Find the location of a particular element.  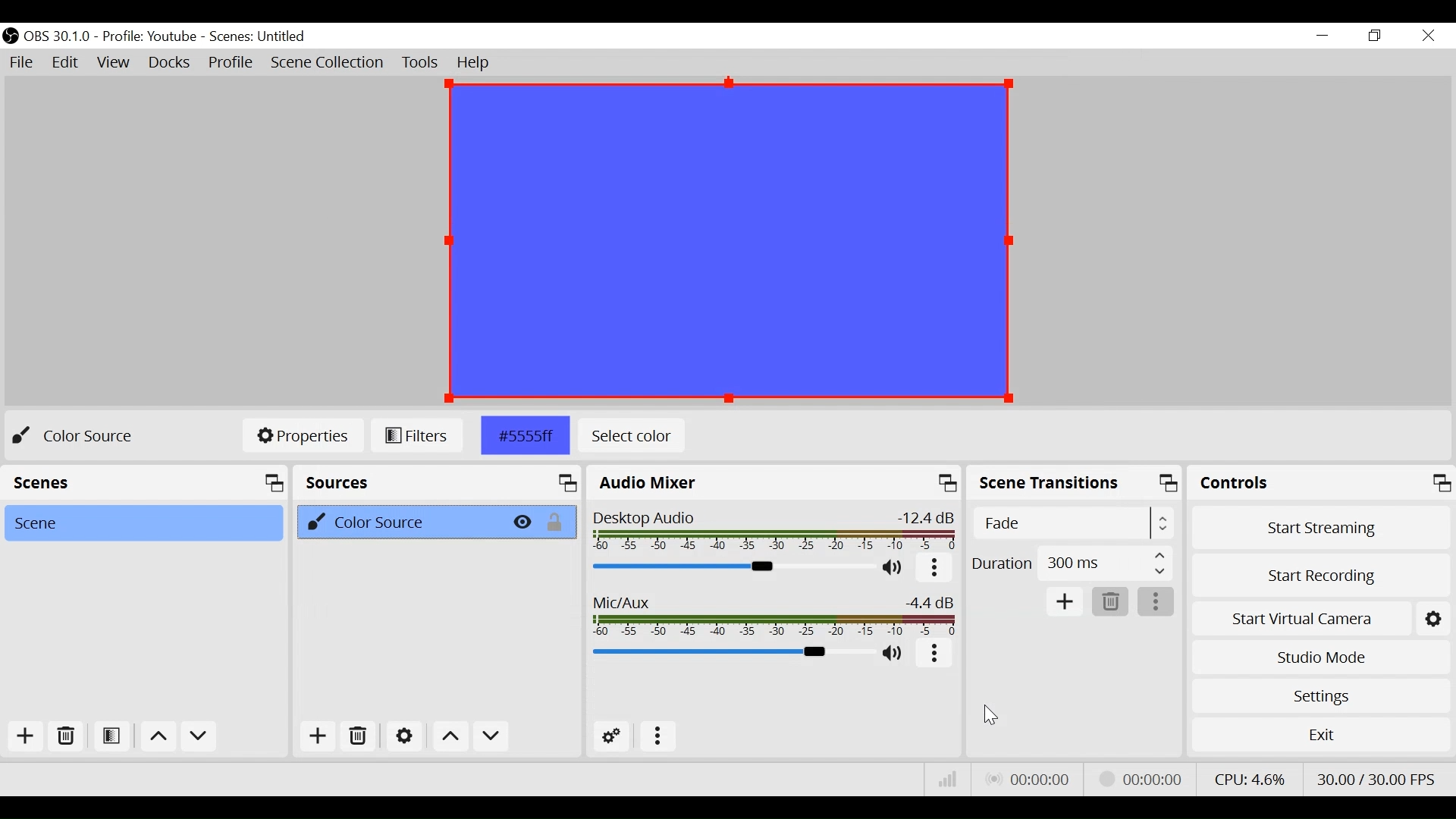

Desktop Audio is located at coordinates (773, 532).